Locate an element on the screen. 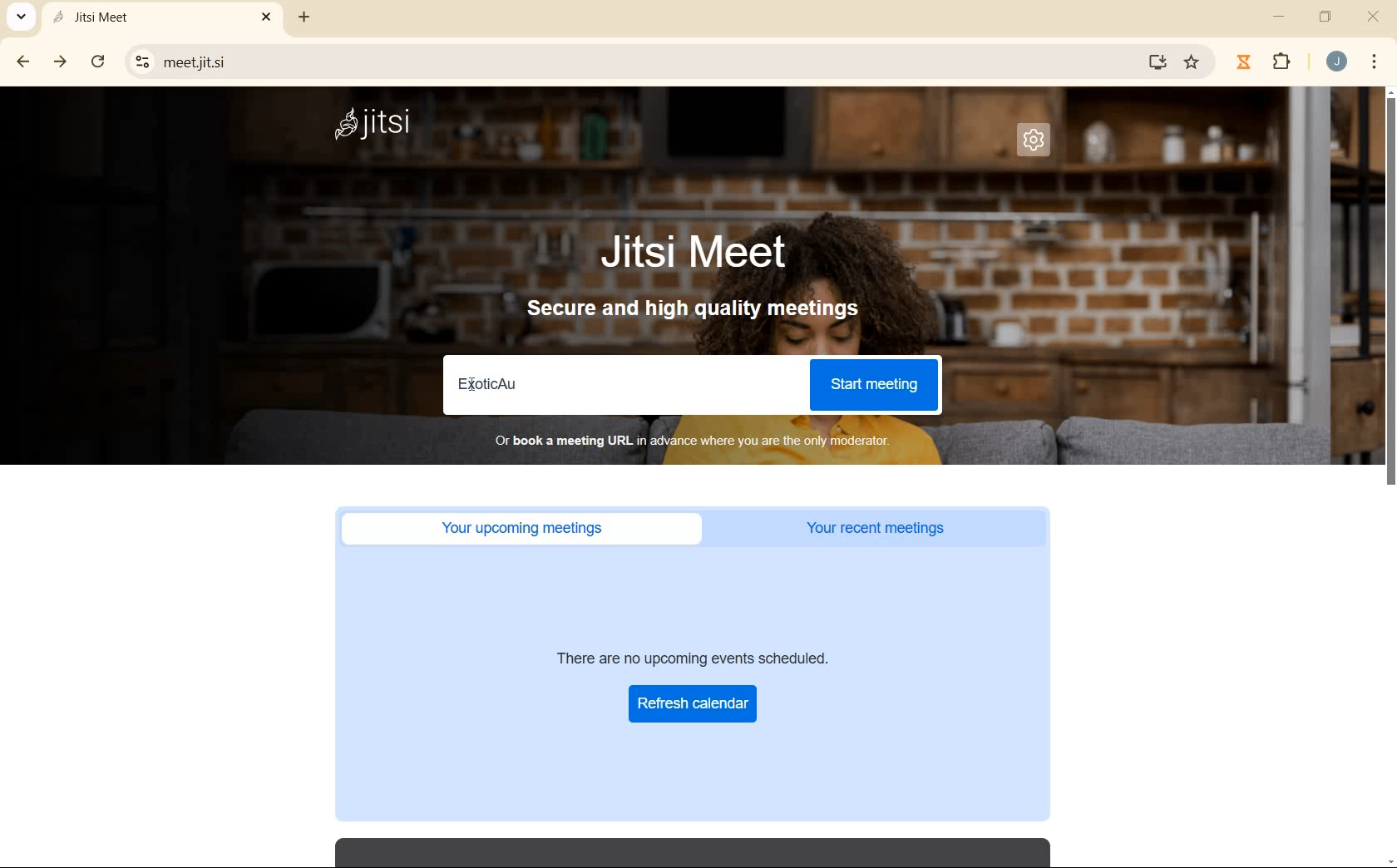 This screenshot has width=1397, height=868. reload is located at coordinates (98, 60).